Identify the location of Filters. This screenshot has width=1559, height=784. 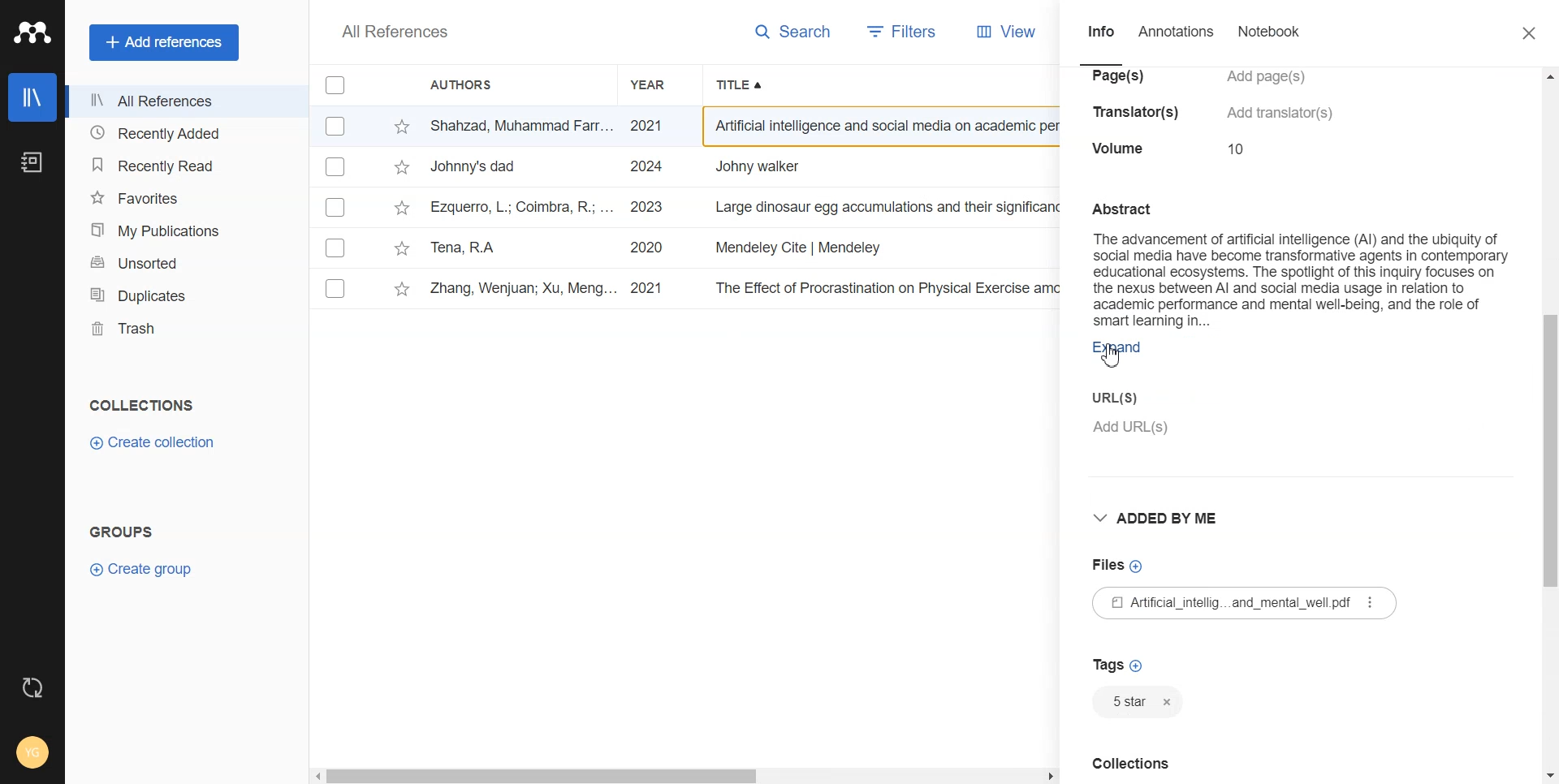
(897, 32).